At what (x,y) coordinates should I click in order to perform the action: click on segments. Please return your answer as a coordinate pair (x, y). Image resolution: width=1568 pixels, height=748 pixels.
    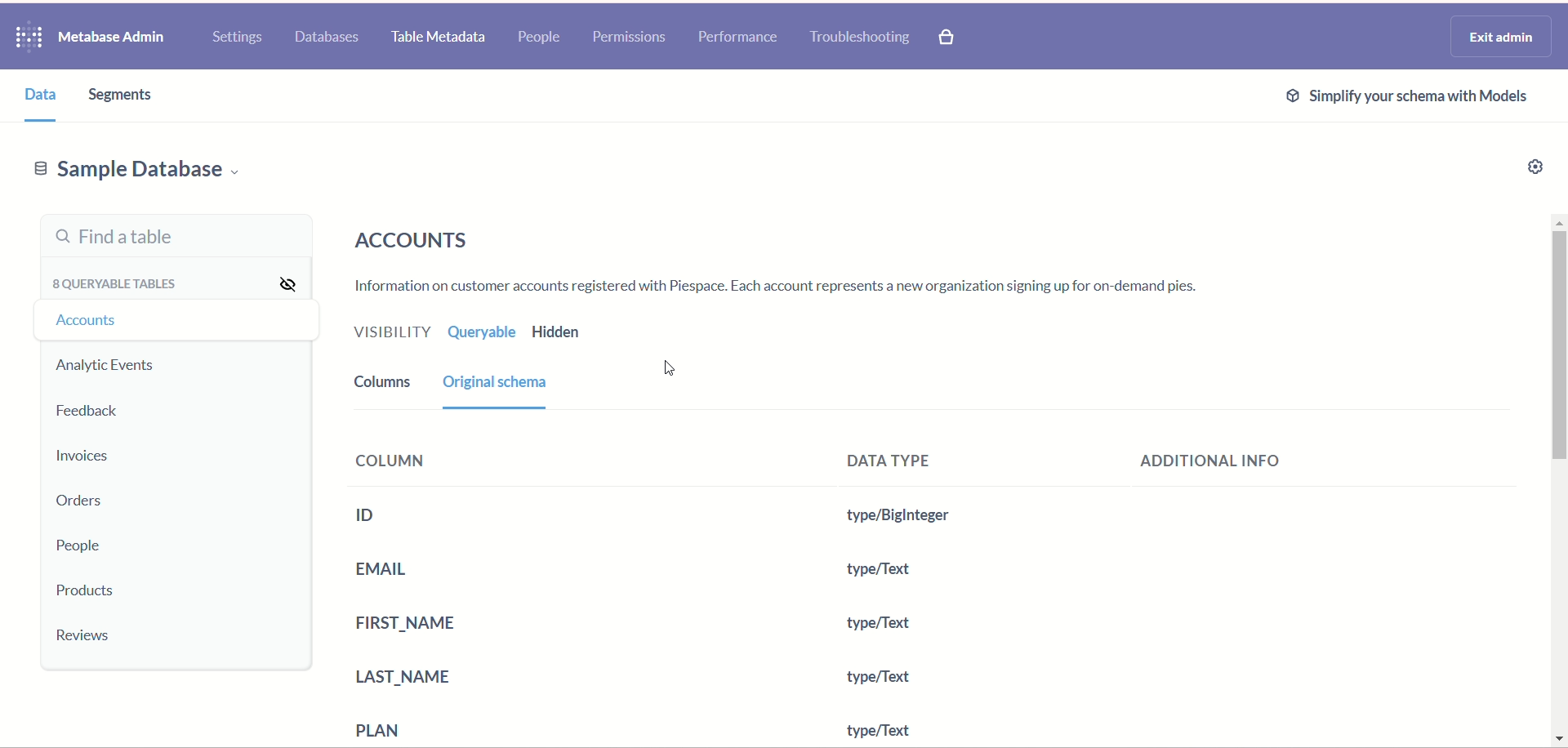
    Looking at the image, I should click on (119, 97).